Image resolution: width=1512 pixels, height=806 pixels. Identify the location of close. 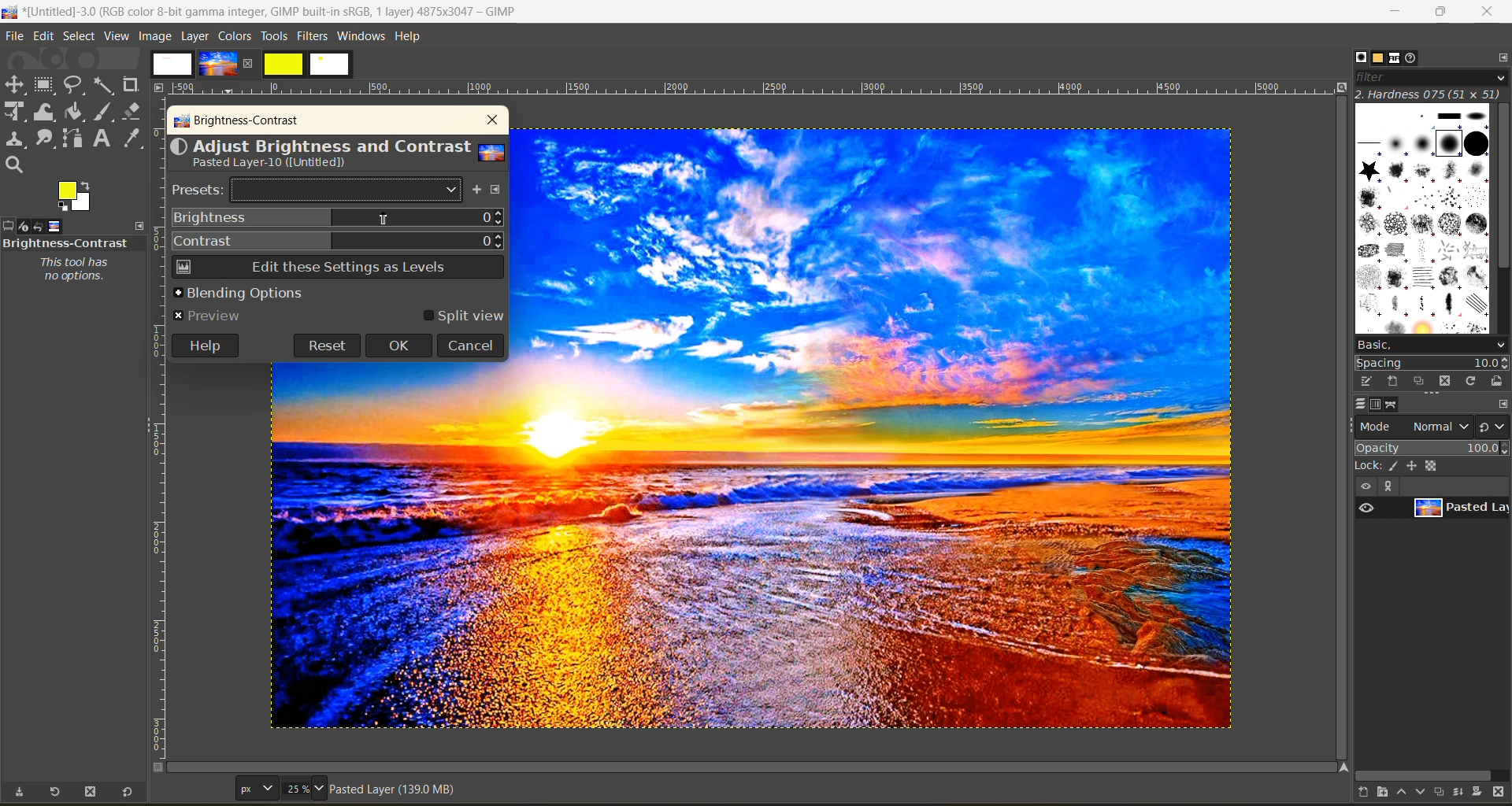
(489, 120).